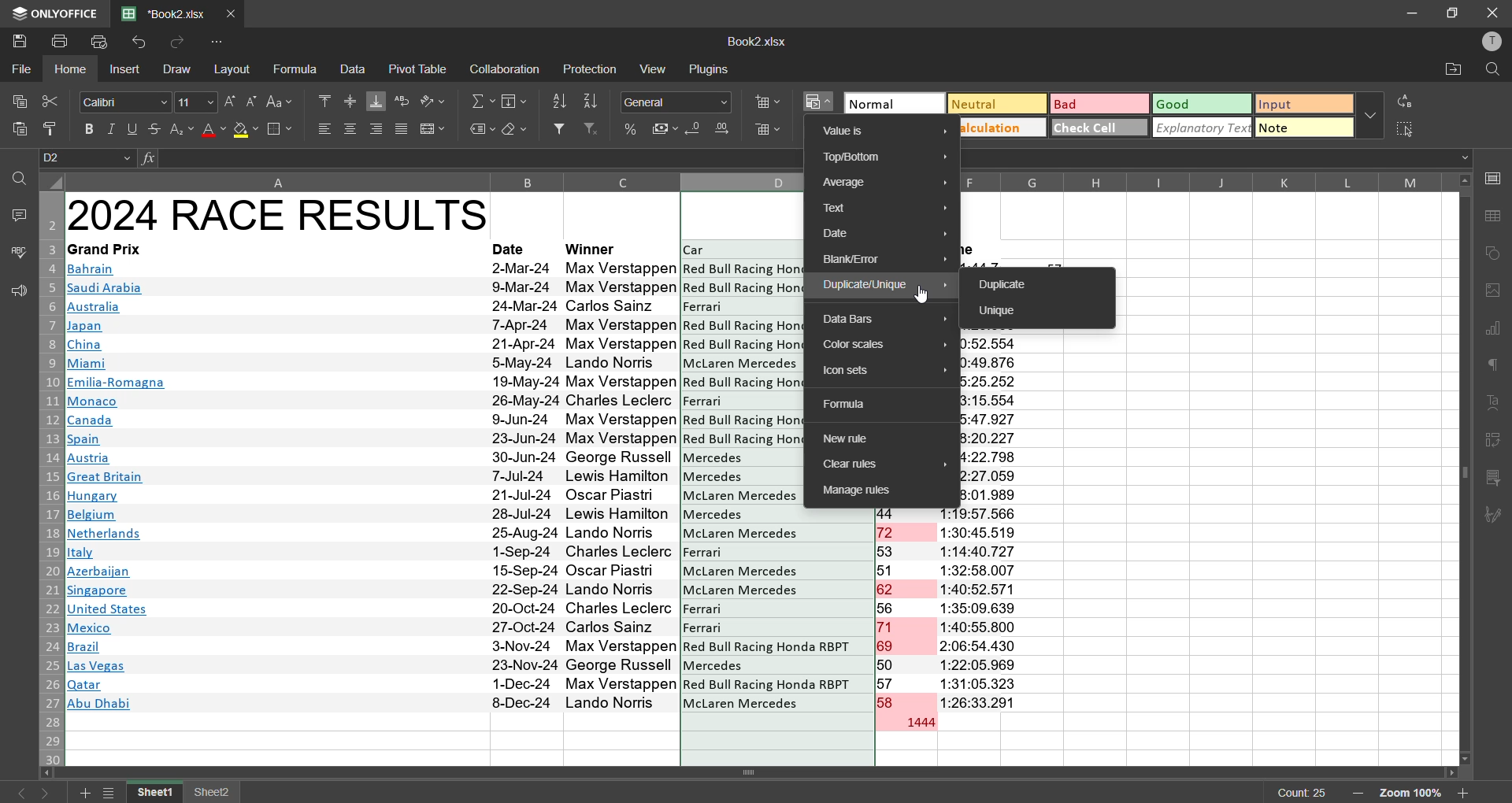 This screenshot has width=1512, height=803. I want to click on summation, so click(483, 102).